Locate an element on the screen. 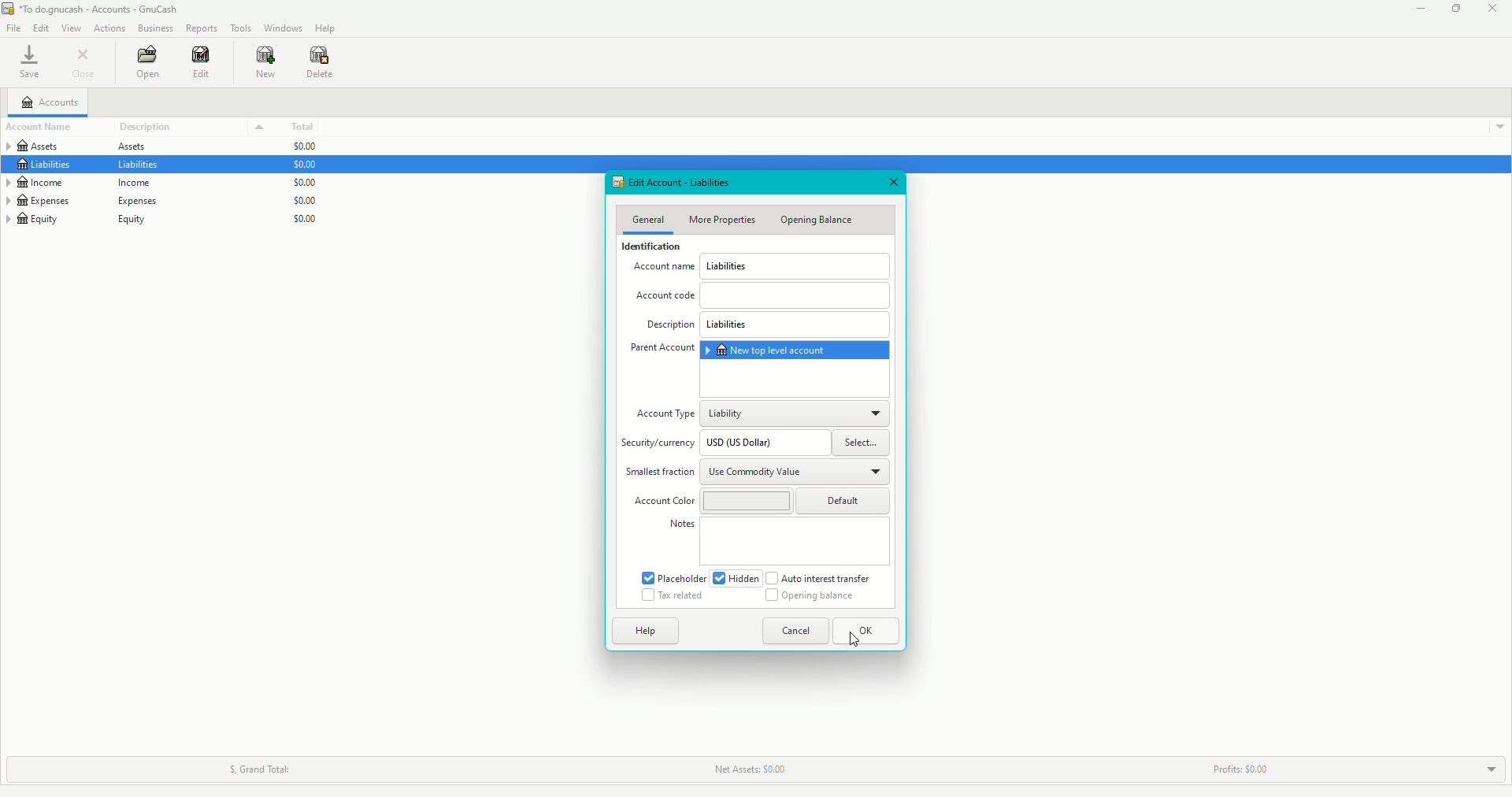  Default is located at coordinates (796, 501).